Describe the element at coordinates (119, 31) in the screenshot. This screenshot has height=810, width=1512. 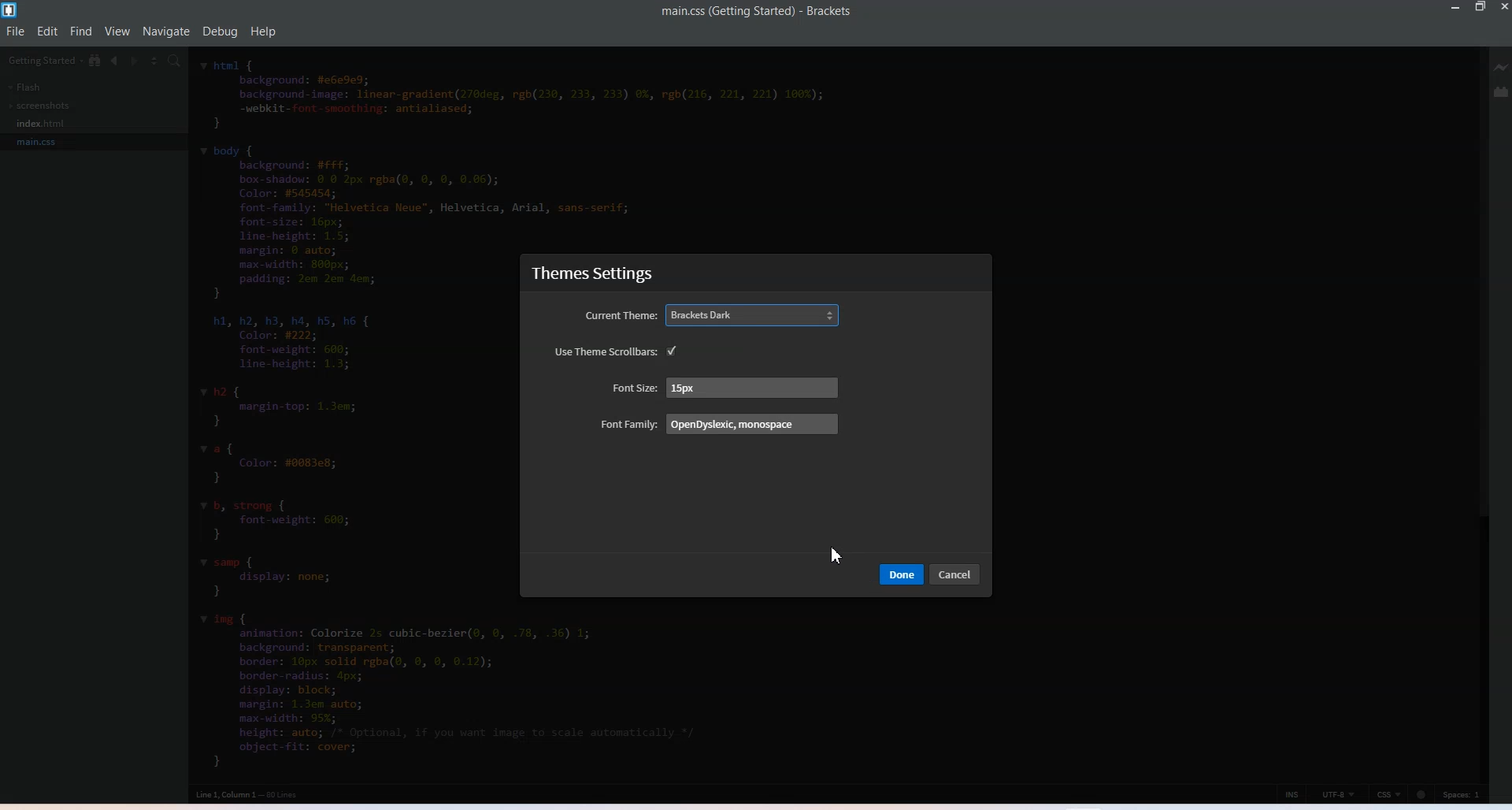
I see `View` at that location.